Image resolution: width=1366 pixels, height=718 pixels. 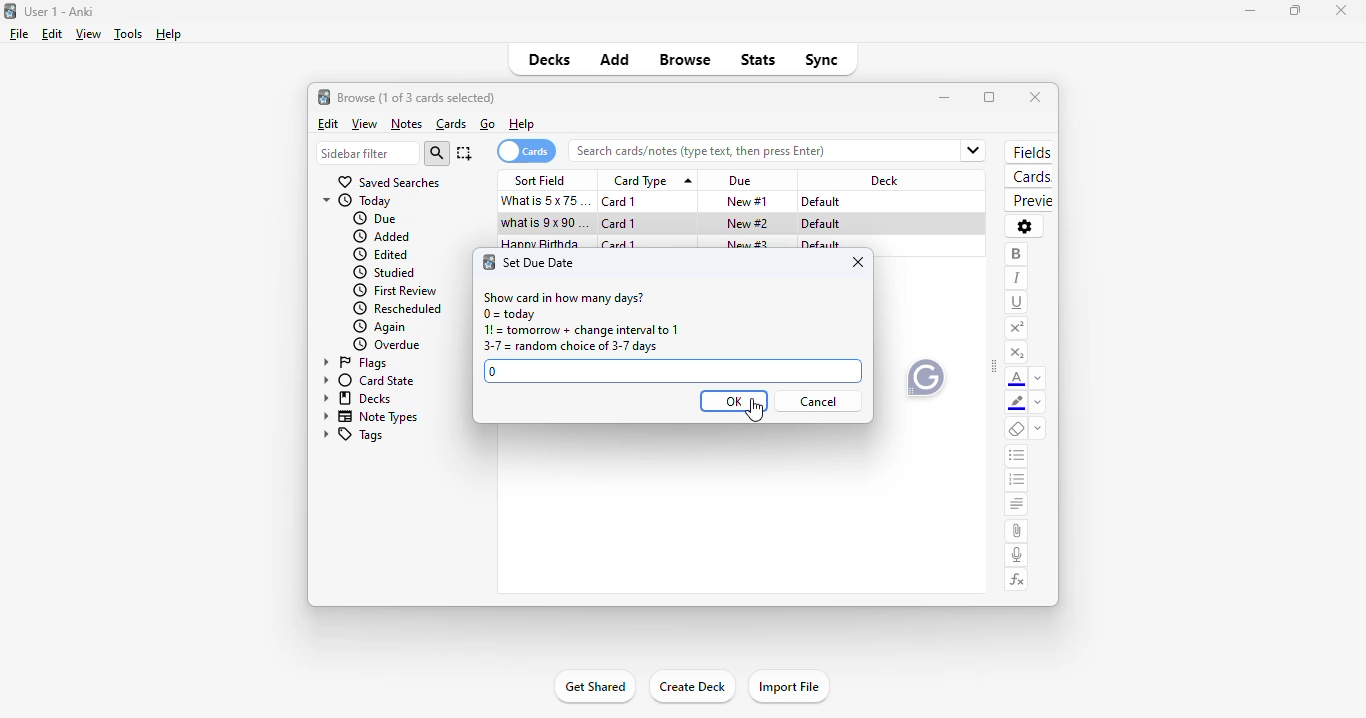 What do you see at coordinates (368, 417) in the screenshot?
I see `note types` at bounding box center [368, 417].